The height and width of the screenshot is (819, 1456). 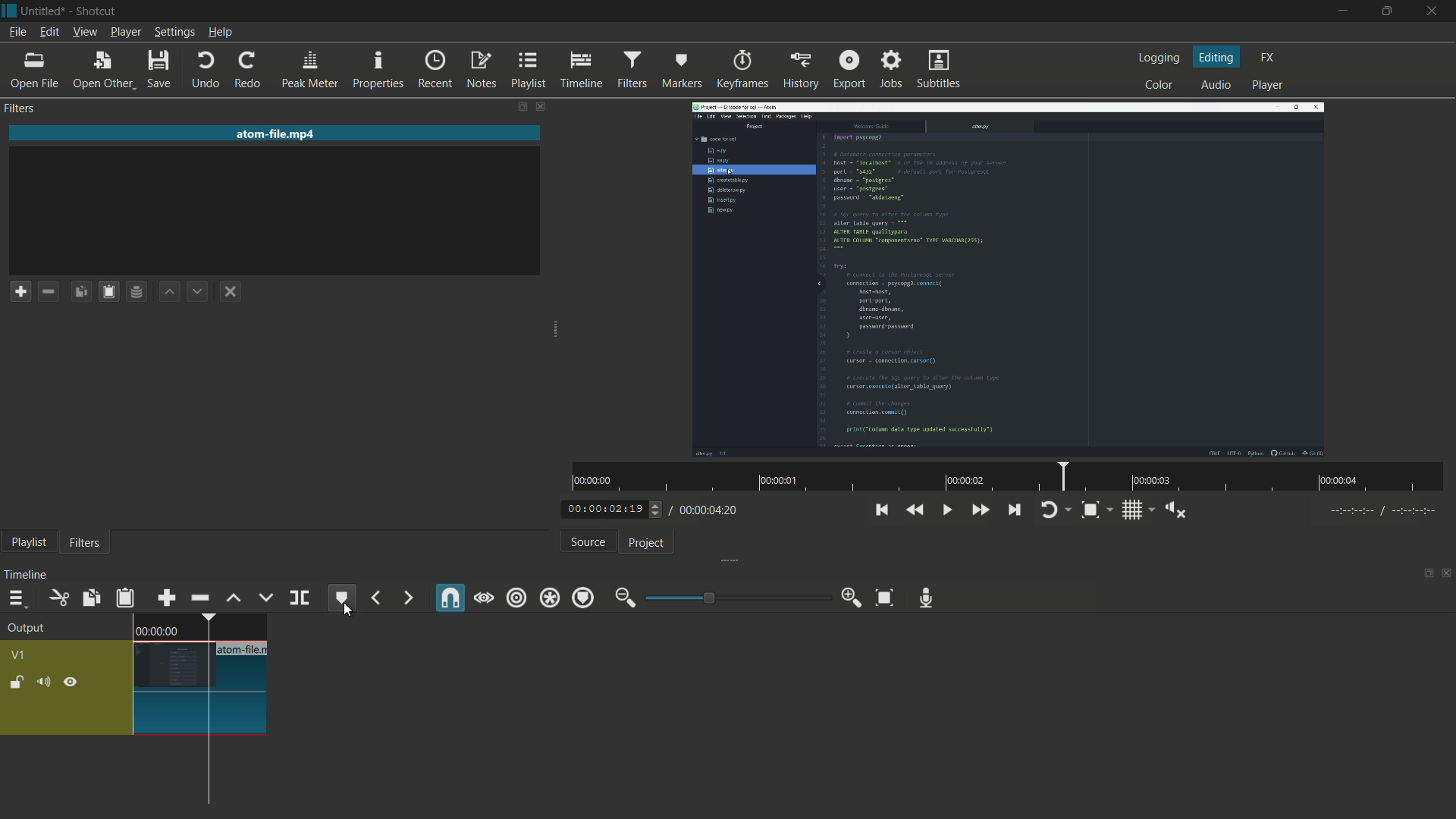 I want to click on change layout, so click(x=521, y=107).